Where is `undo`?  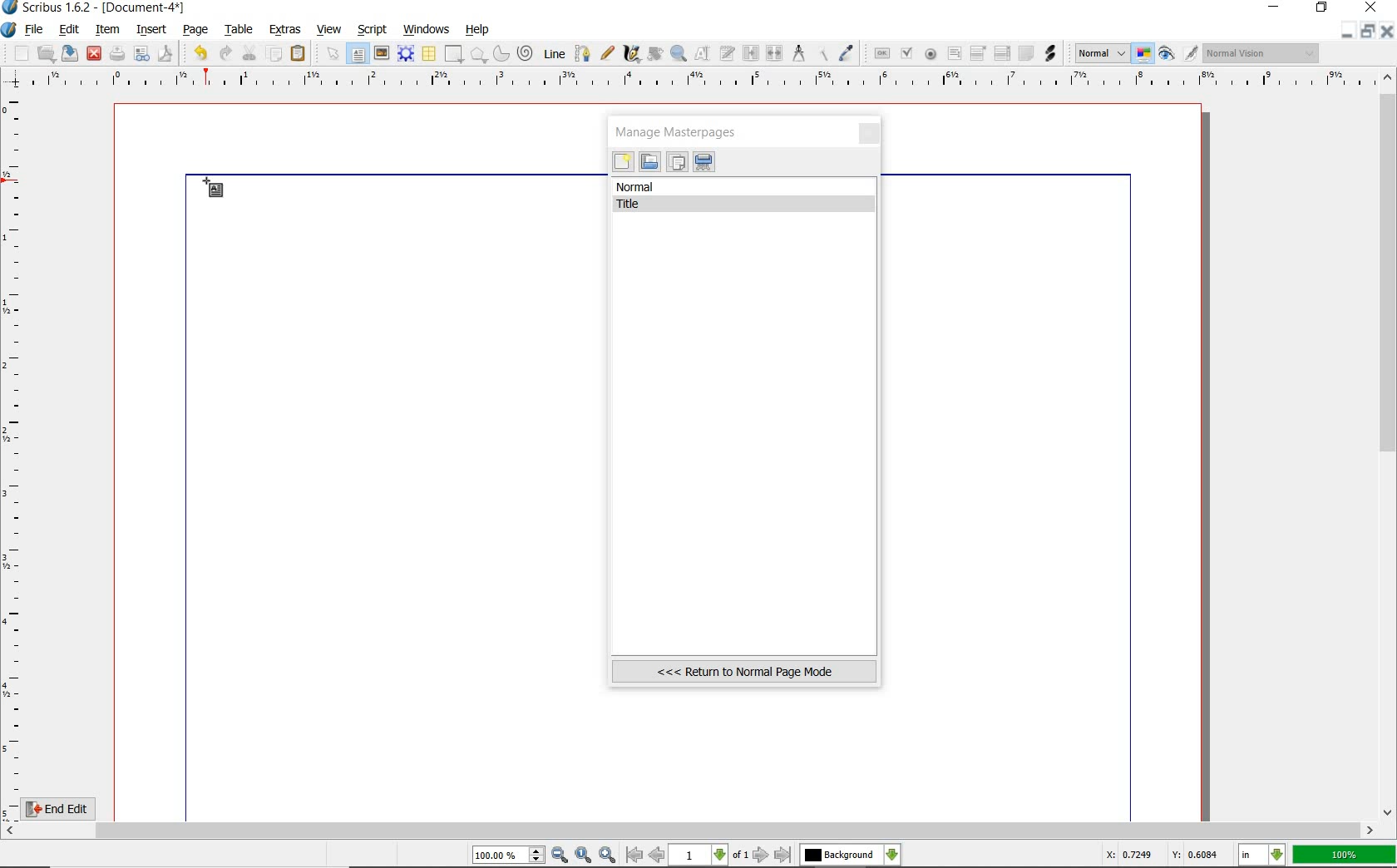
undo is located at coordinates (197, 52).